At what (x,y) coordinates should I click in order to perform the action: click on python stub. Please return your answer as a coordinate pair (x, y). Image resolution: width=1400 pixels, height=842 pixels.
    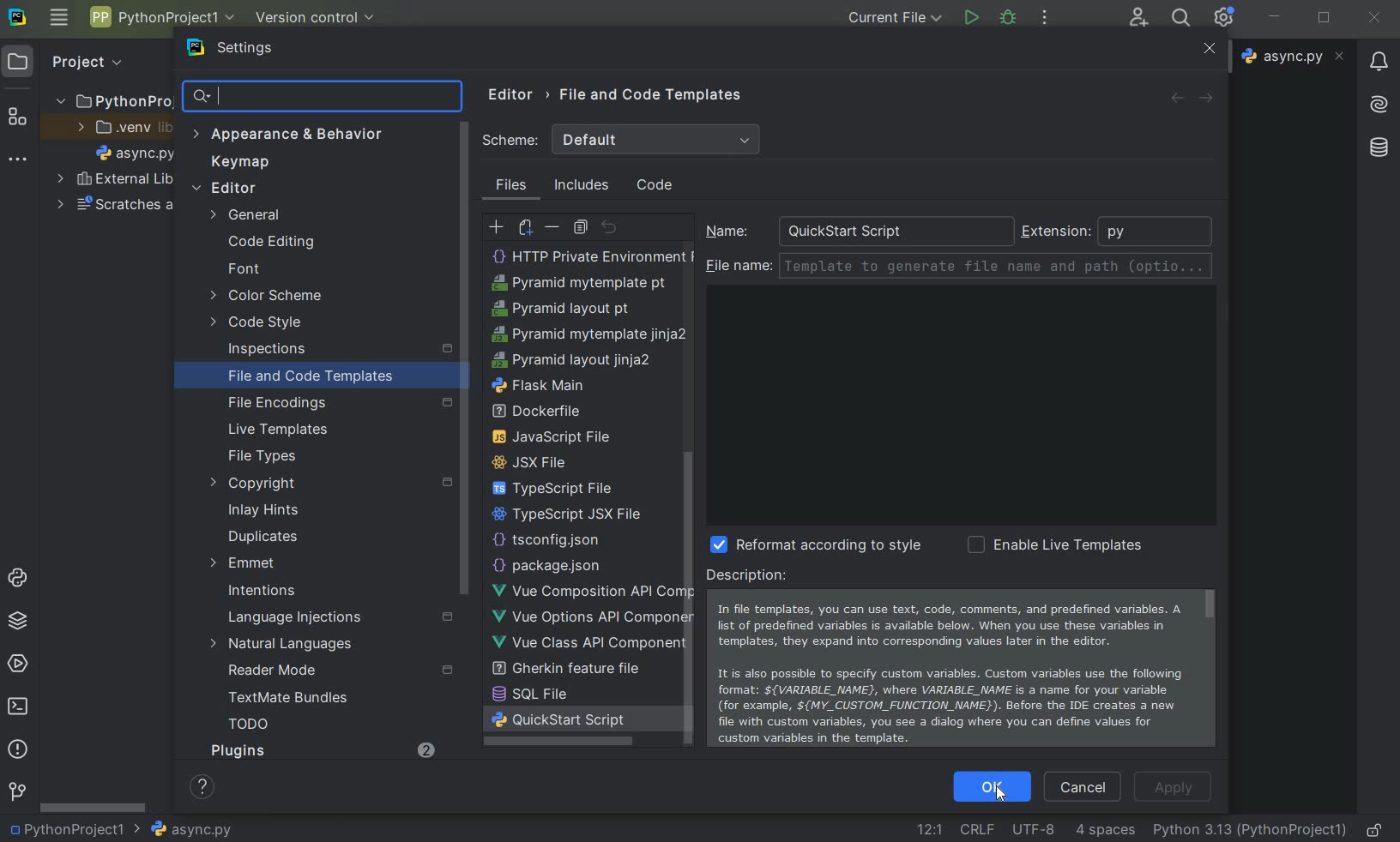
    Looking at the image, I should click on (556, 383).